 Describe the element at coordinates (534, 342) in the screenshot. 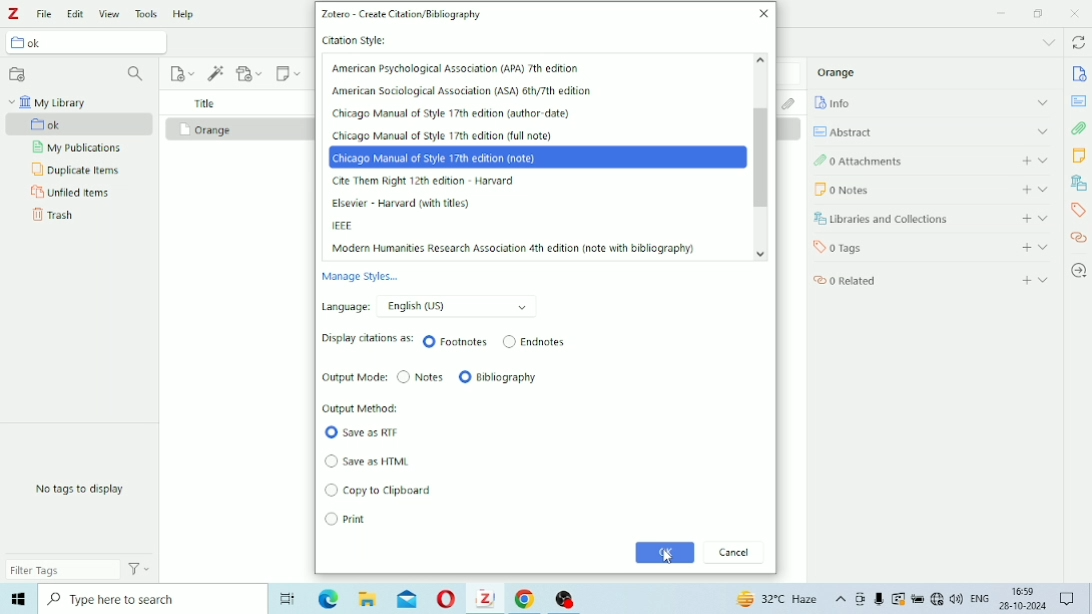

I see `Endnotes` at that location.